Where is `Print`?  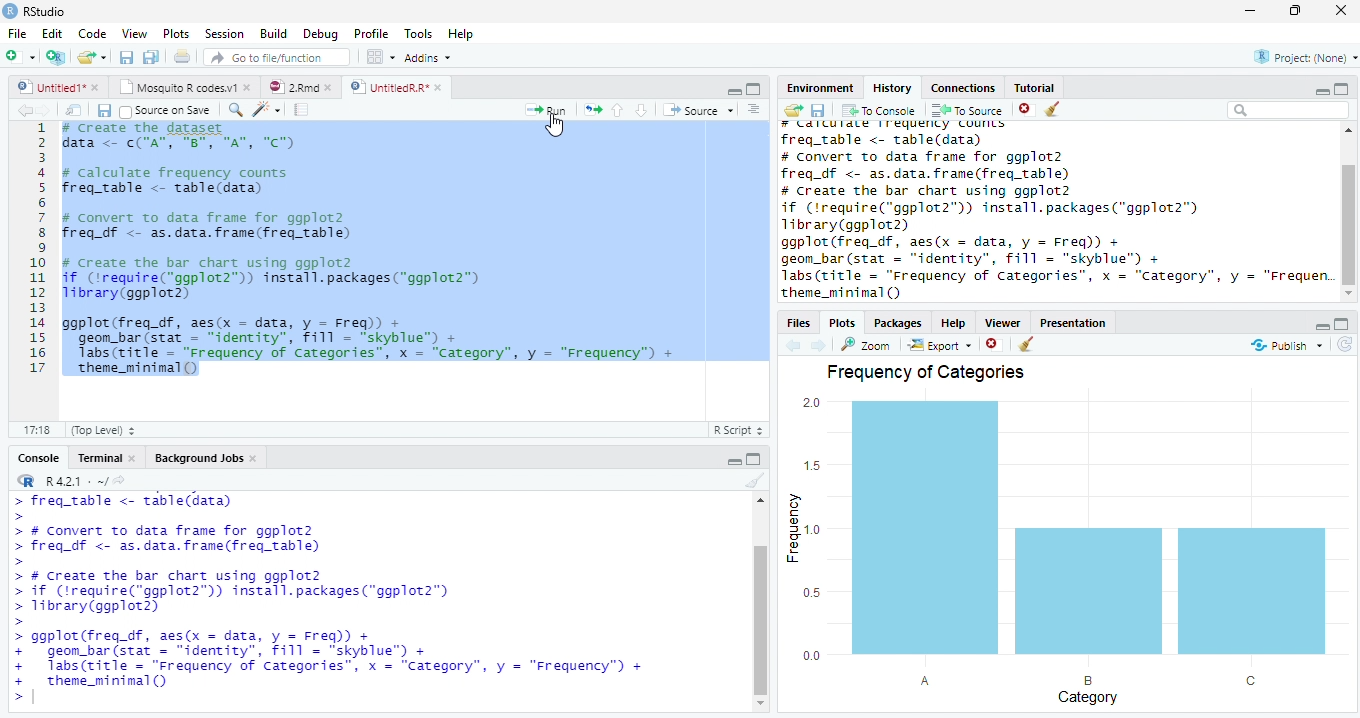 Print is located at coordinates (182, 58).